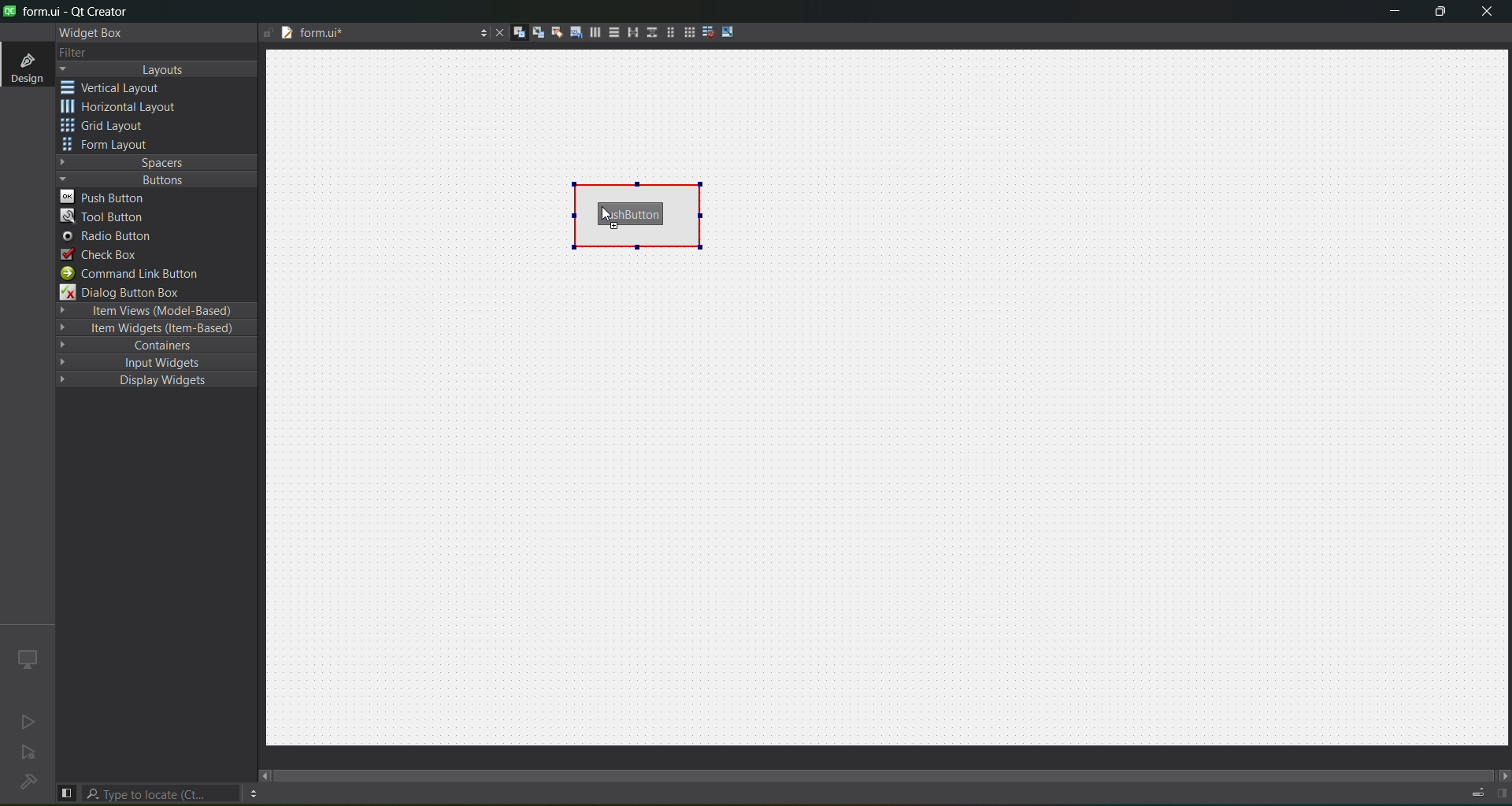  I want to click on no active, so click(24, 723).